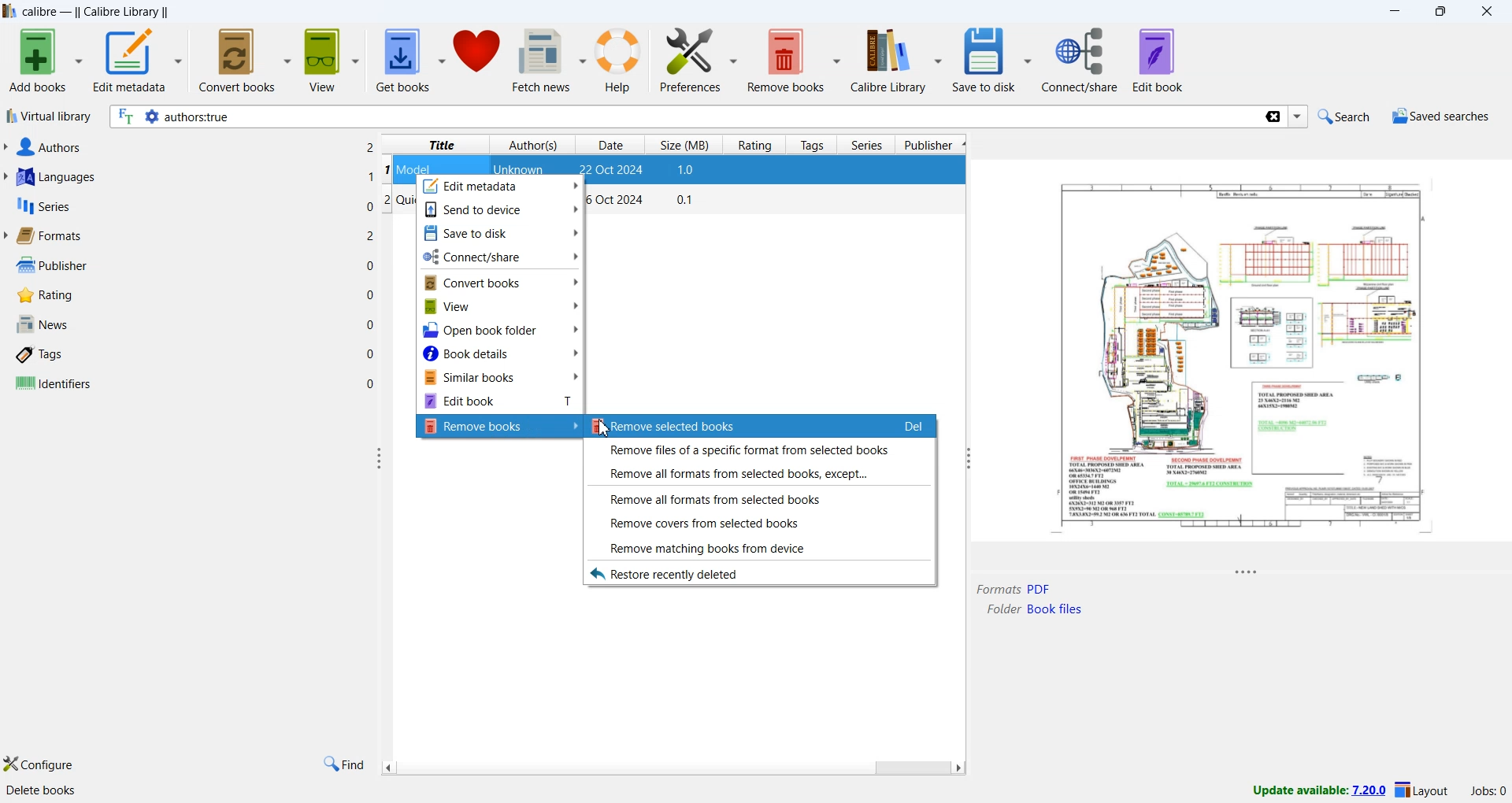 Image resolution: width=1512 pixels, height=803 pixels. I want to click on 0, so click(369, 204).